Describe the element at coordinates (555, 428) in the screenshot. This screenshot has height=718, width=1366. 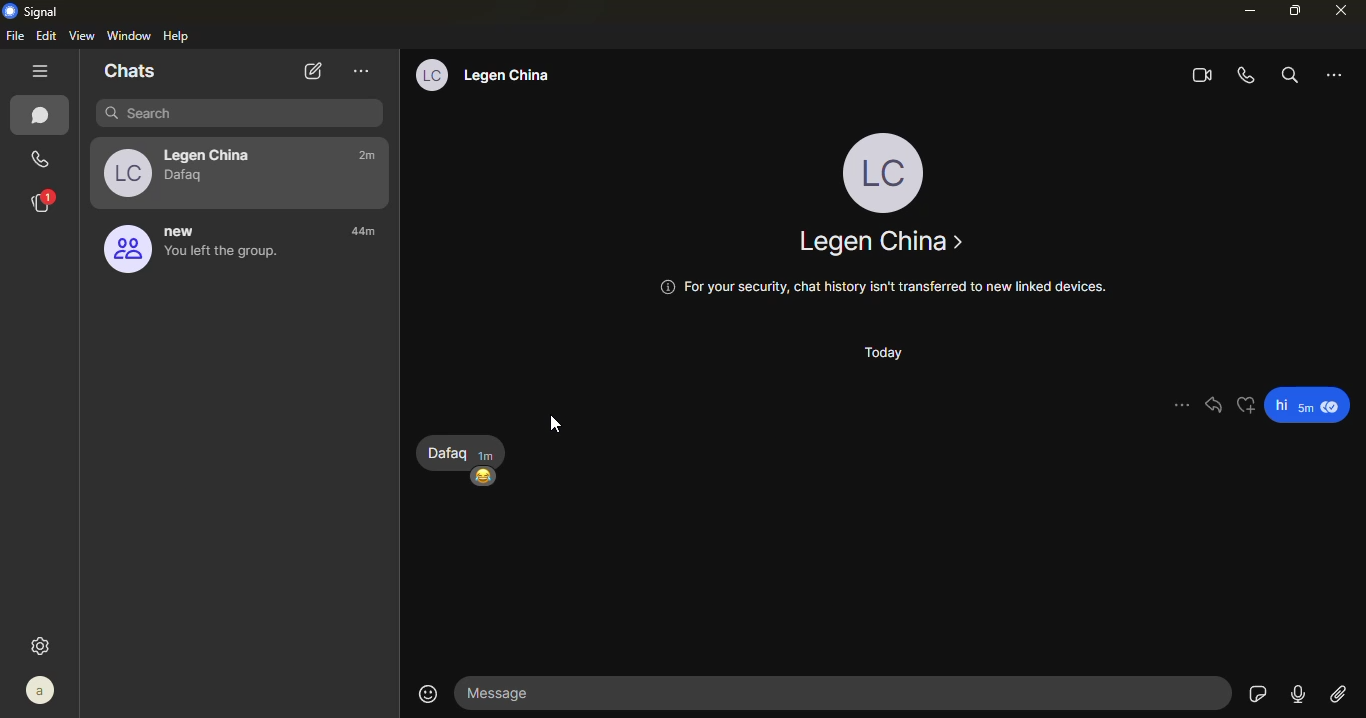
I see `cursor` at that location.